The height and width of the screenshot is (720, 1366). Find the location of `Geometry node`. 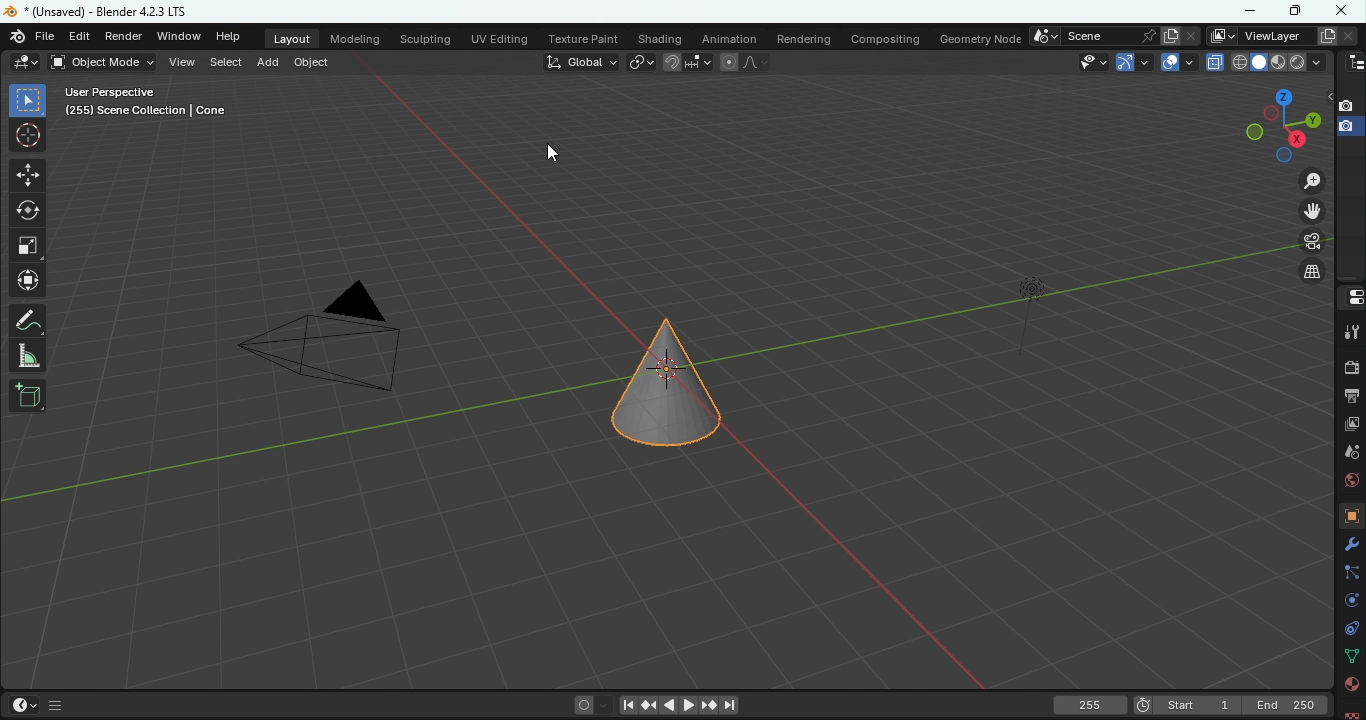

Geometry node is located at coordinates (979, 37).